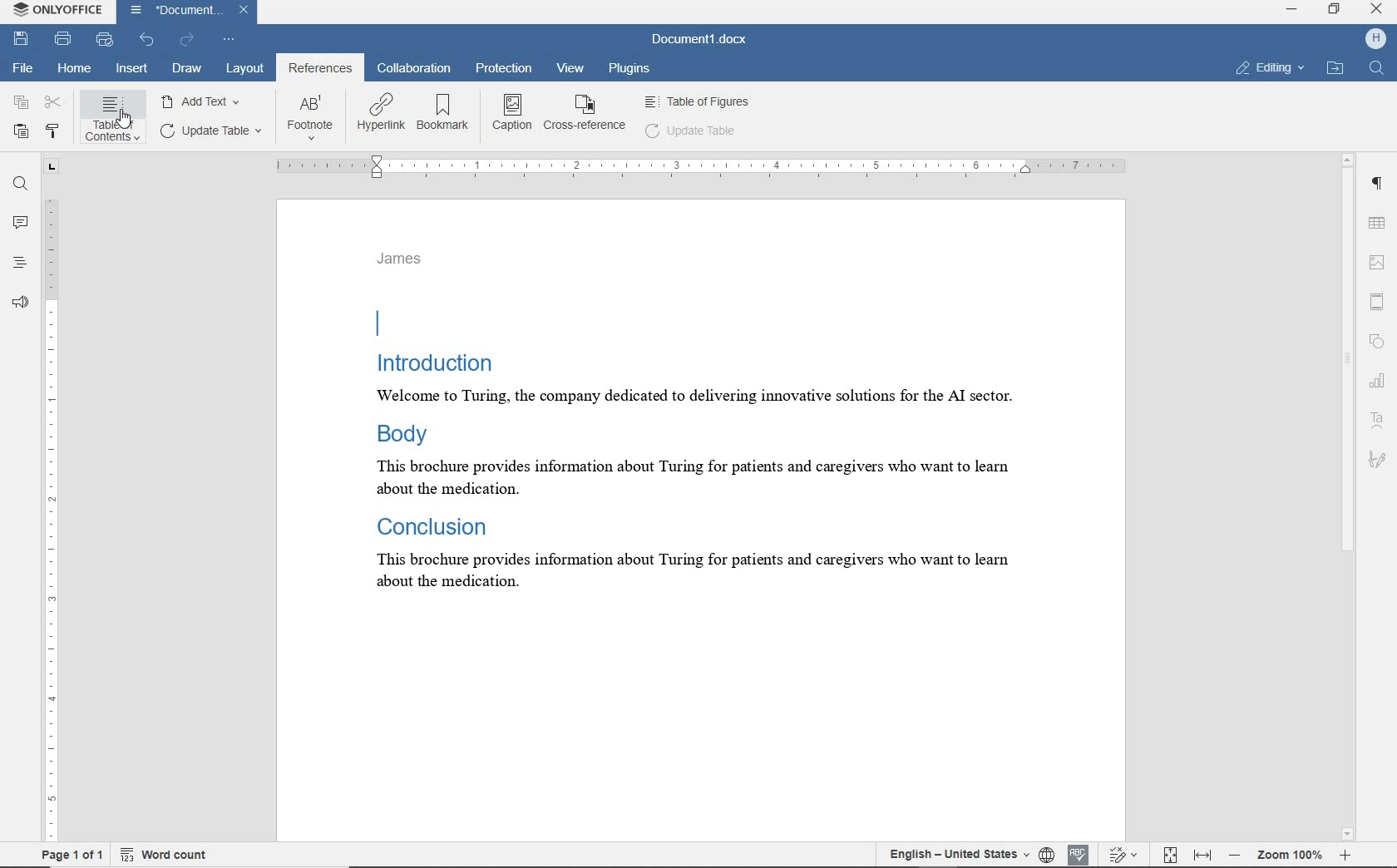  Describe the element at coordinates (442, 113) in the screenshot. I see `bookmark` at that location.